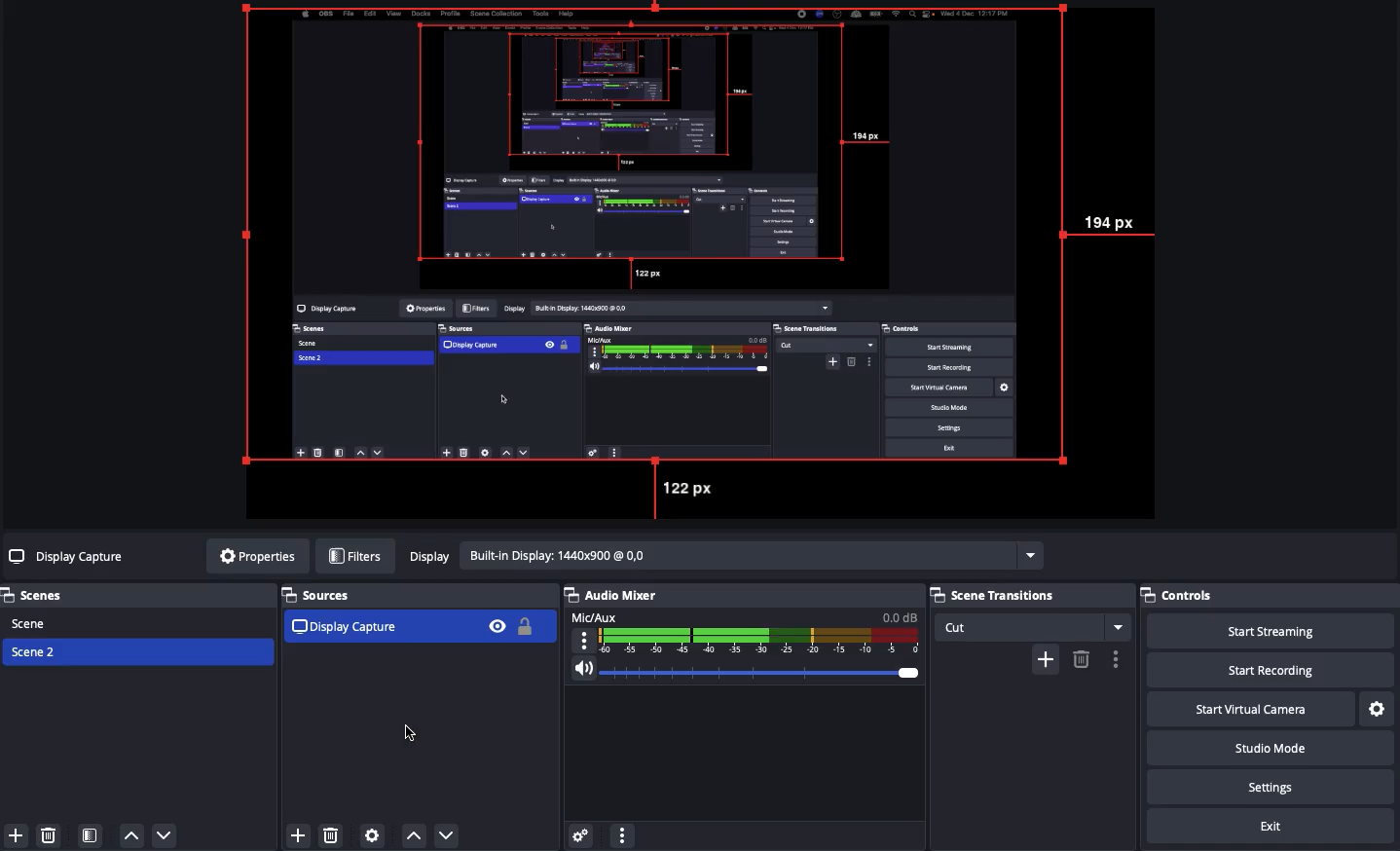 This screenshot has height=851, width=1400. What do you see at coordinates (415, 838) in the screenshot?
I see `previous` at bounding box center [415, 838].